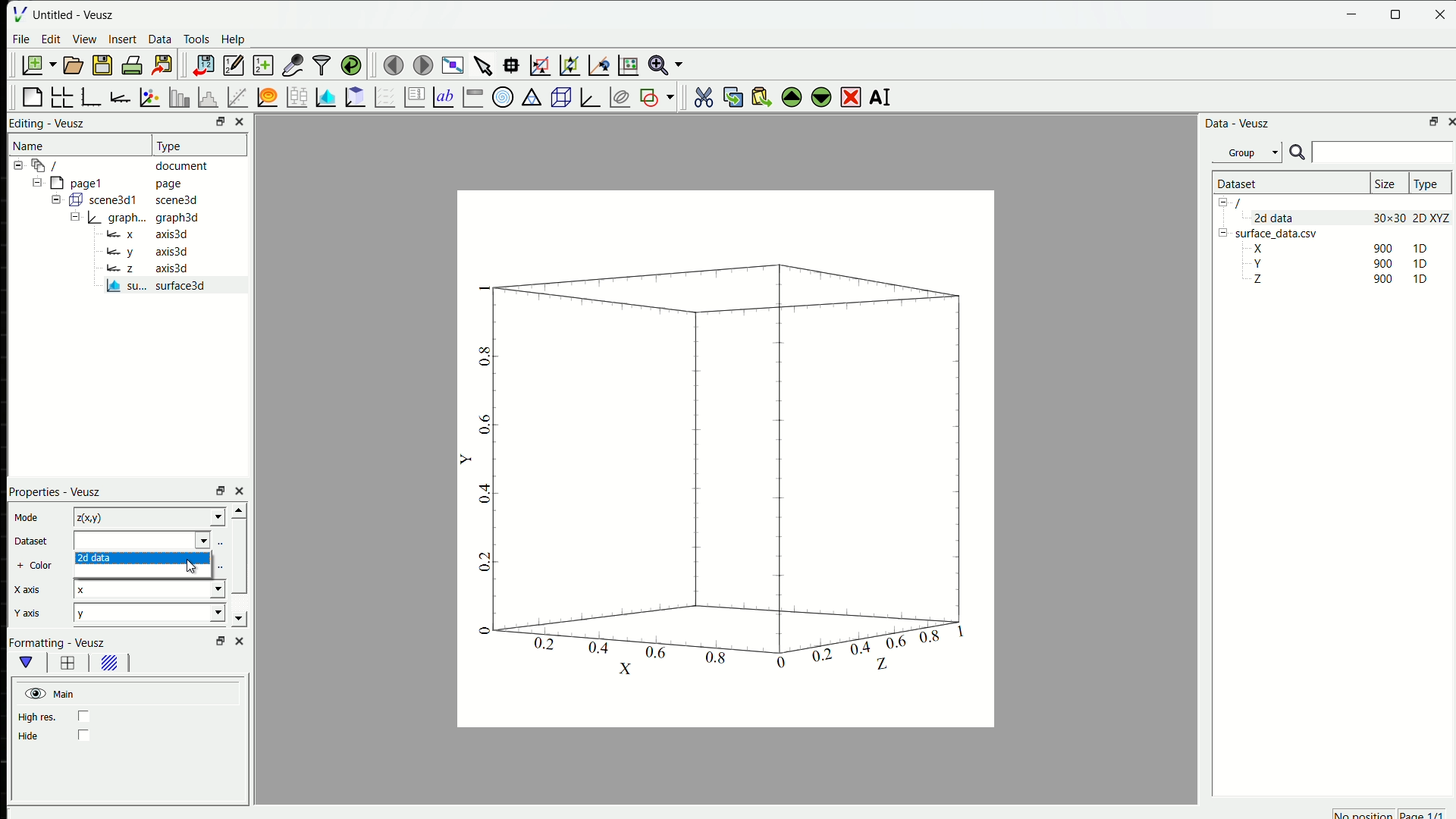 The image size is (1456, 819). Describe the element at coordinates (293, 64) in the screenshot. I see `capture remote data` at that location.